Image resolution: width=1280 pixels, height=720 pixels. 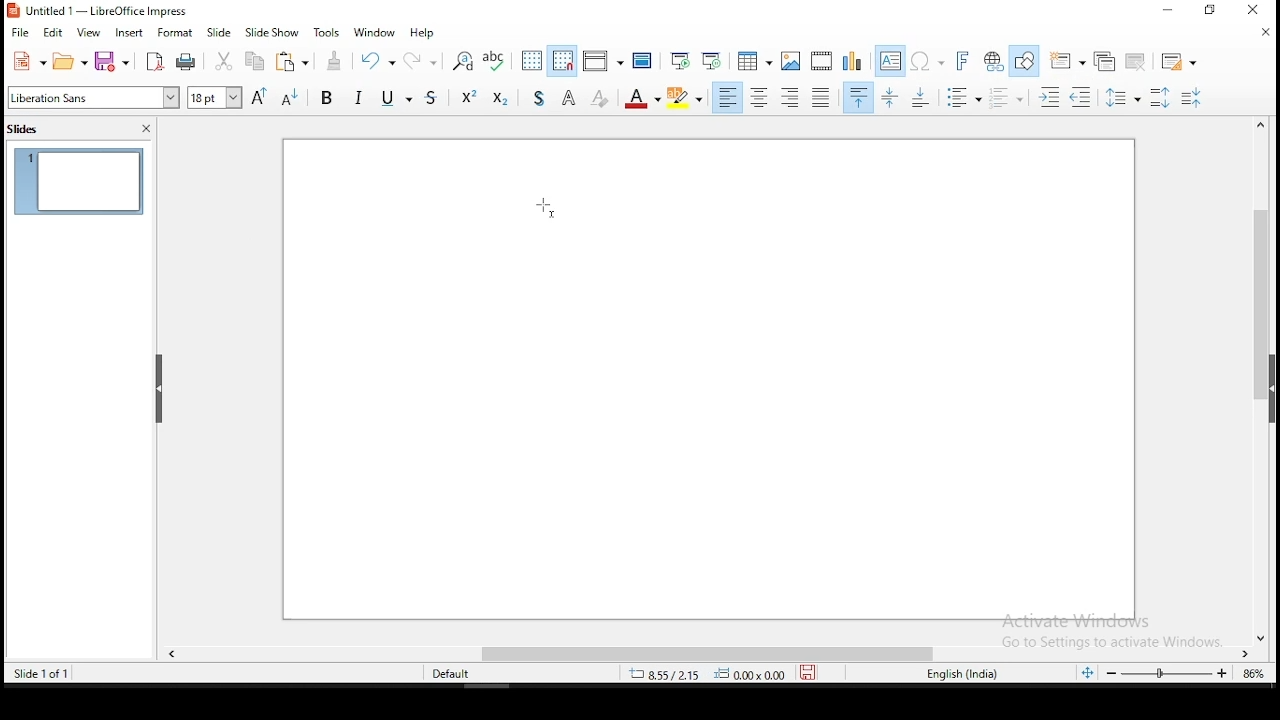 What do you see at coordinates (1046, 97) in the screenshot?
I see `increase indent` at bounding box center [1046, 97].